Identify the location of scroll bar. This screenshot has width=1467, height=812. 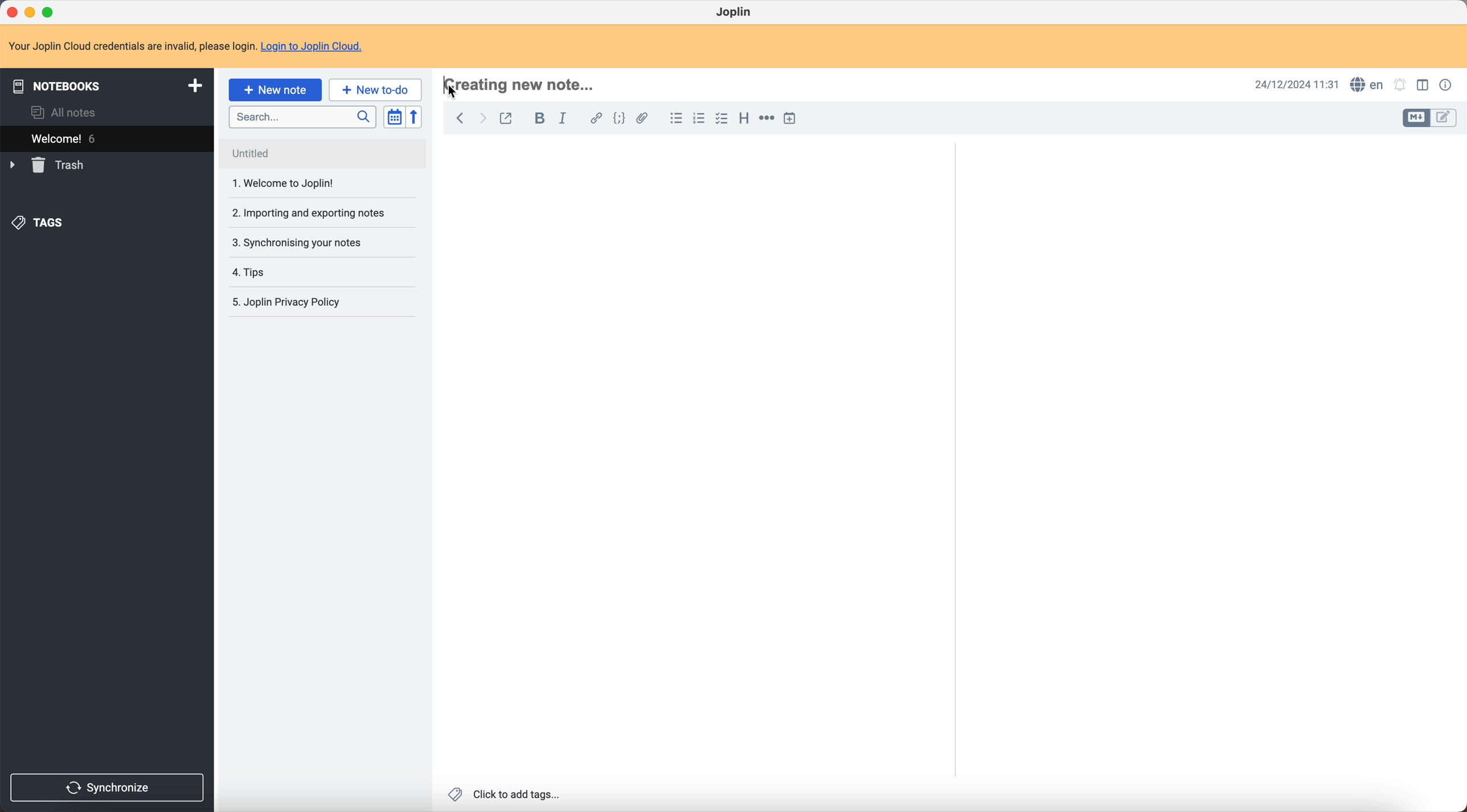
(949, 226).